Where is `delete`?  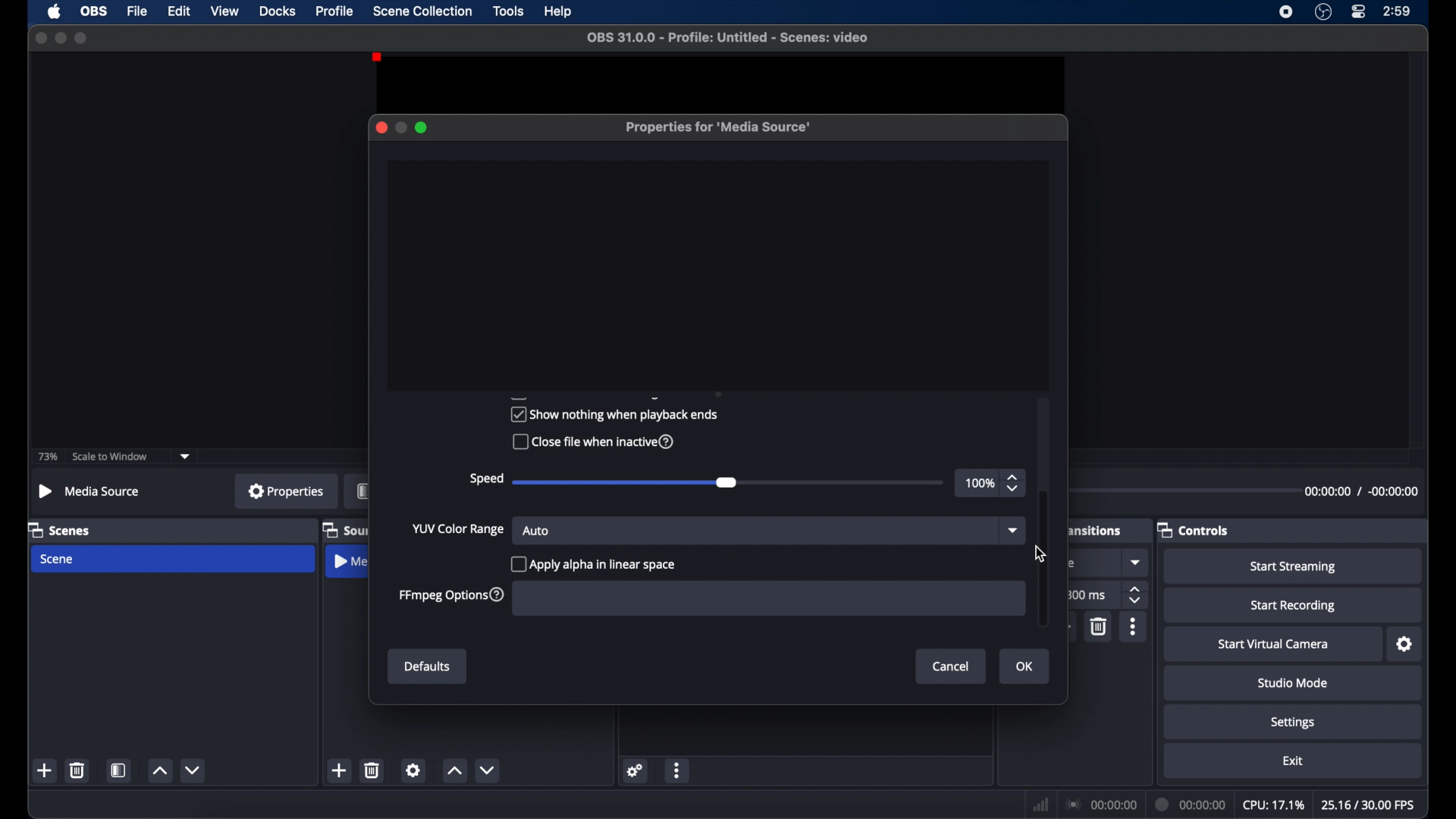 delete is located at coordinates (77, 770).